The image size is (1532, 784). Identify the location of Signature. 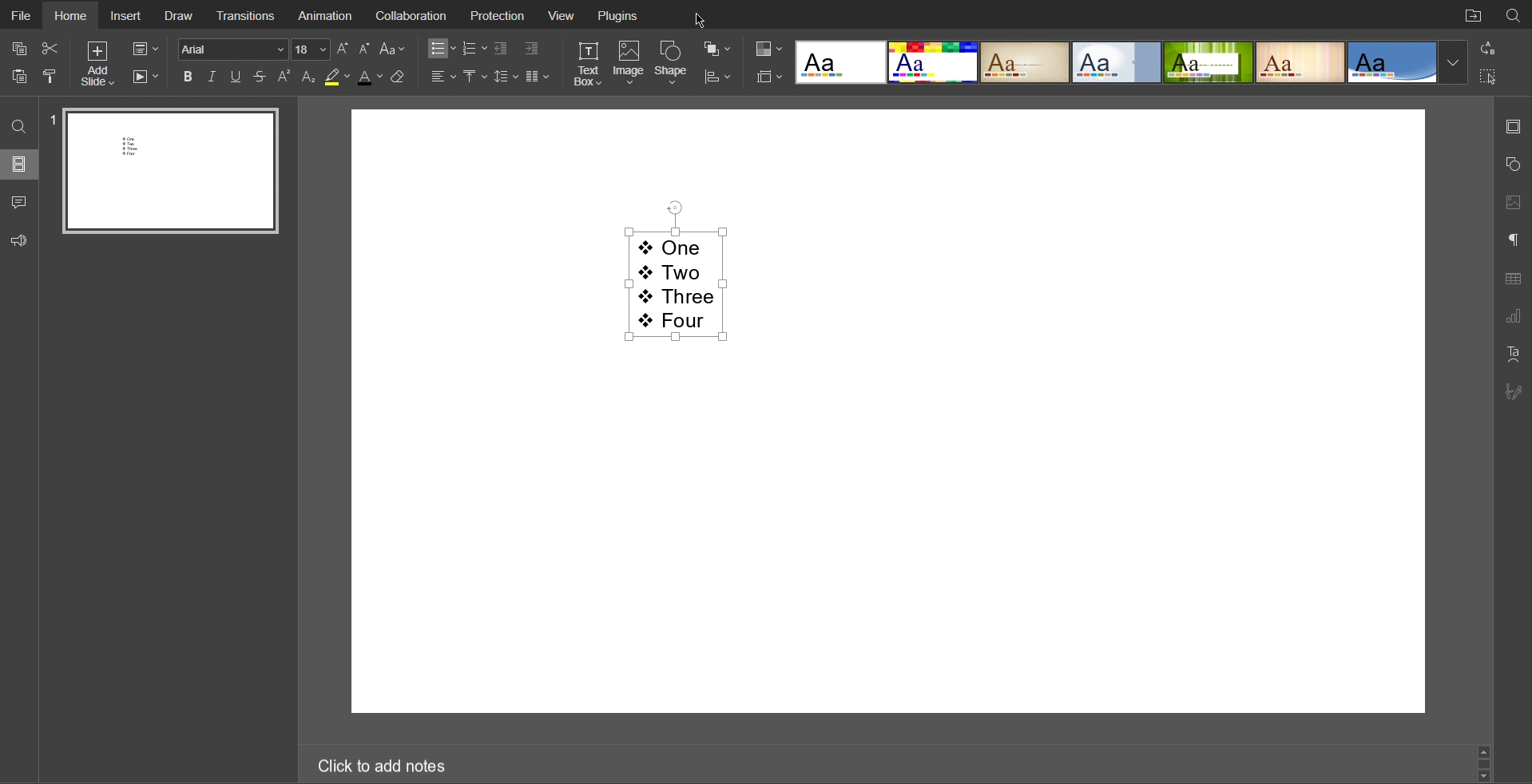
(1512, 389).